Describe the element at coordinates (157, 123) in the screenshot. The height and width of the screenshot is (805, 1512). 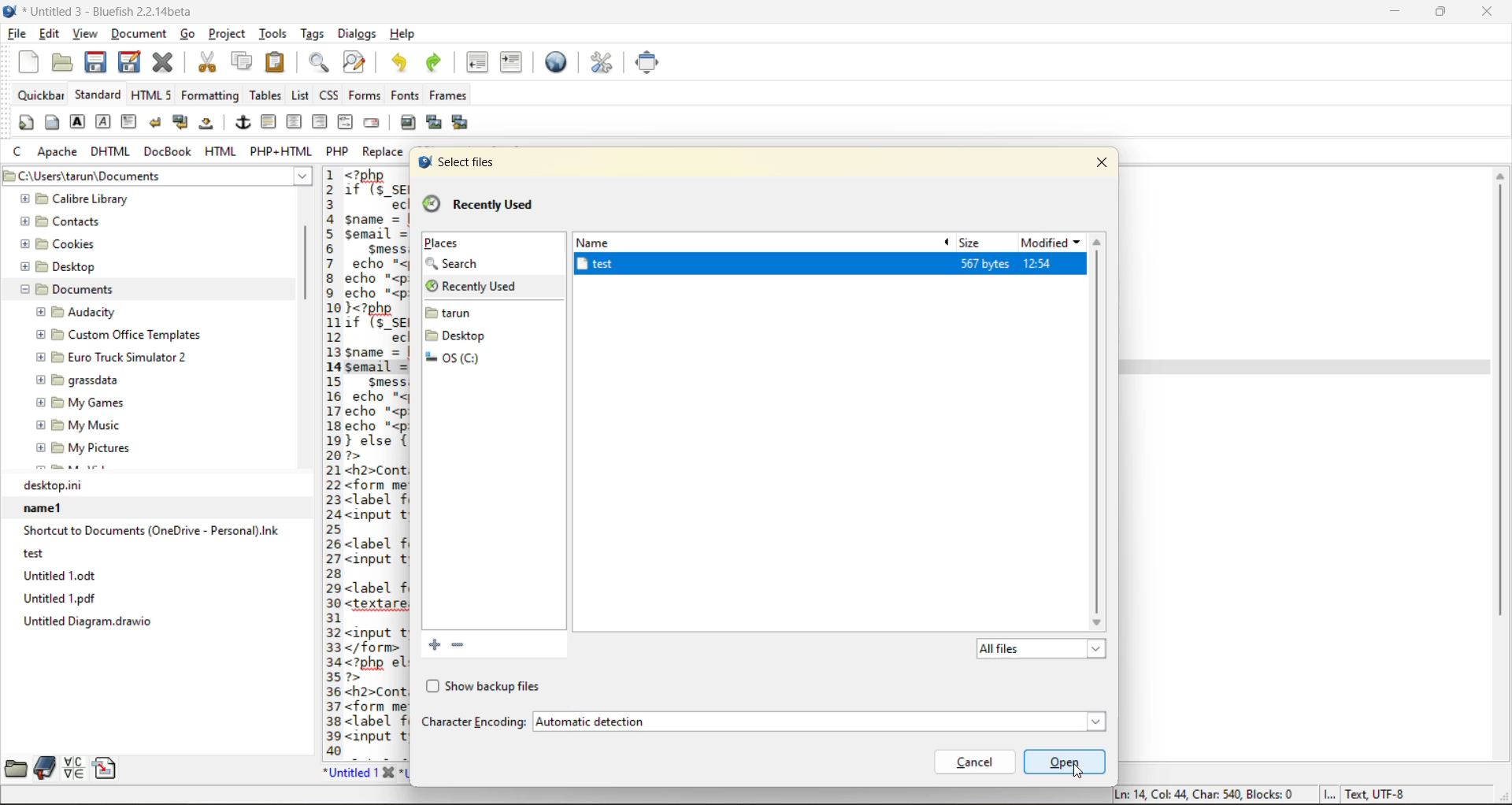
I see `break` at that location.